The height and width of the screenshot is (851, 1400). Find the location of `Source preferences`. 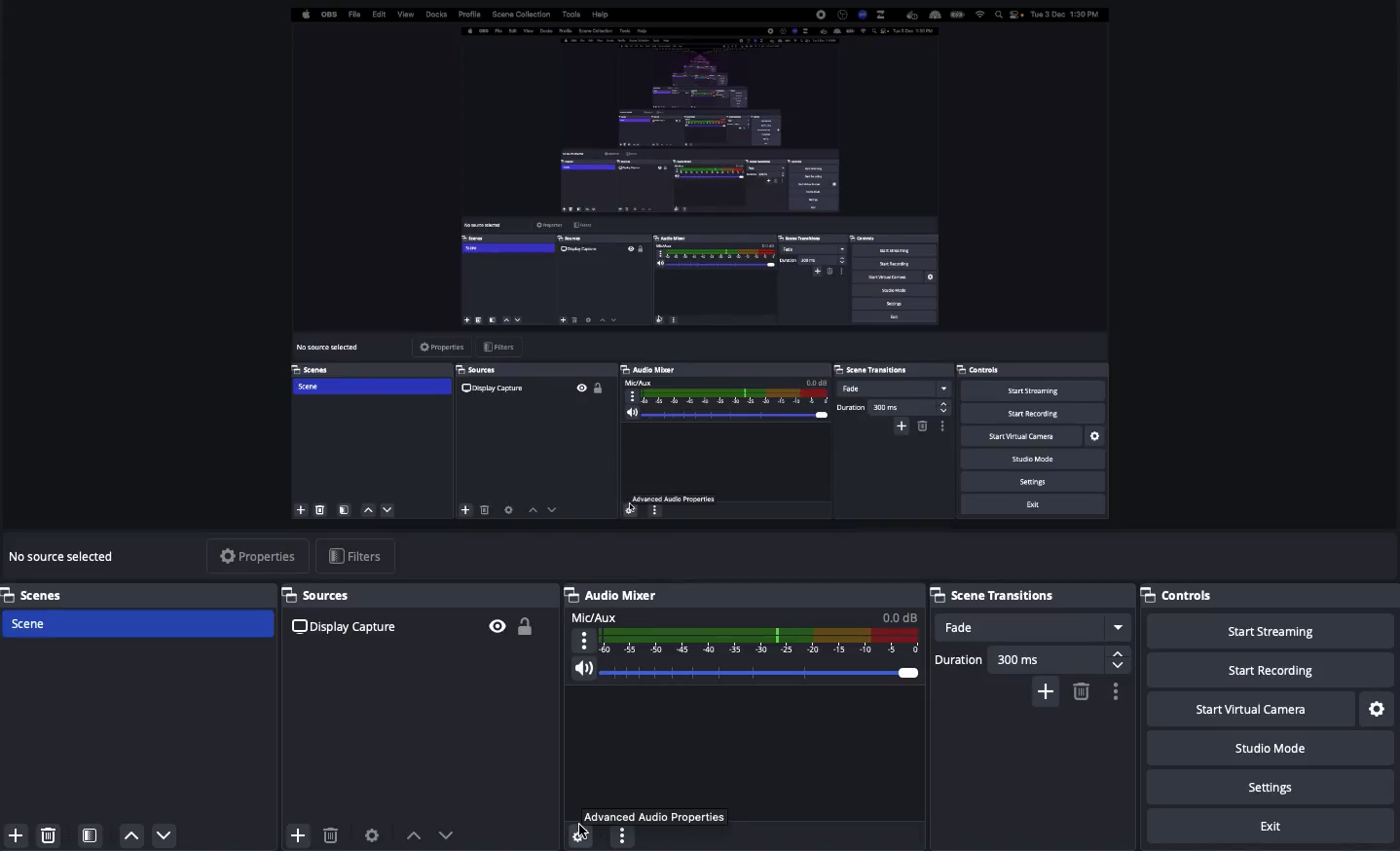

Source preferences is located at coordinates (373, 836).